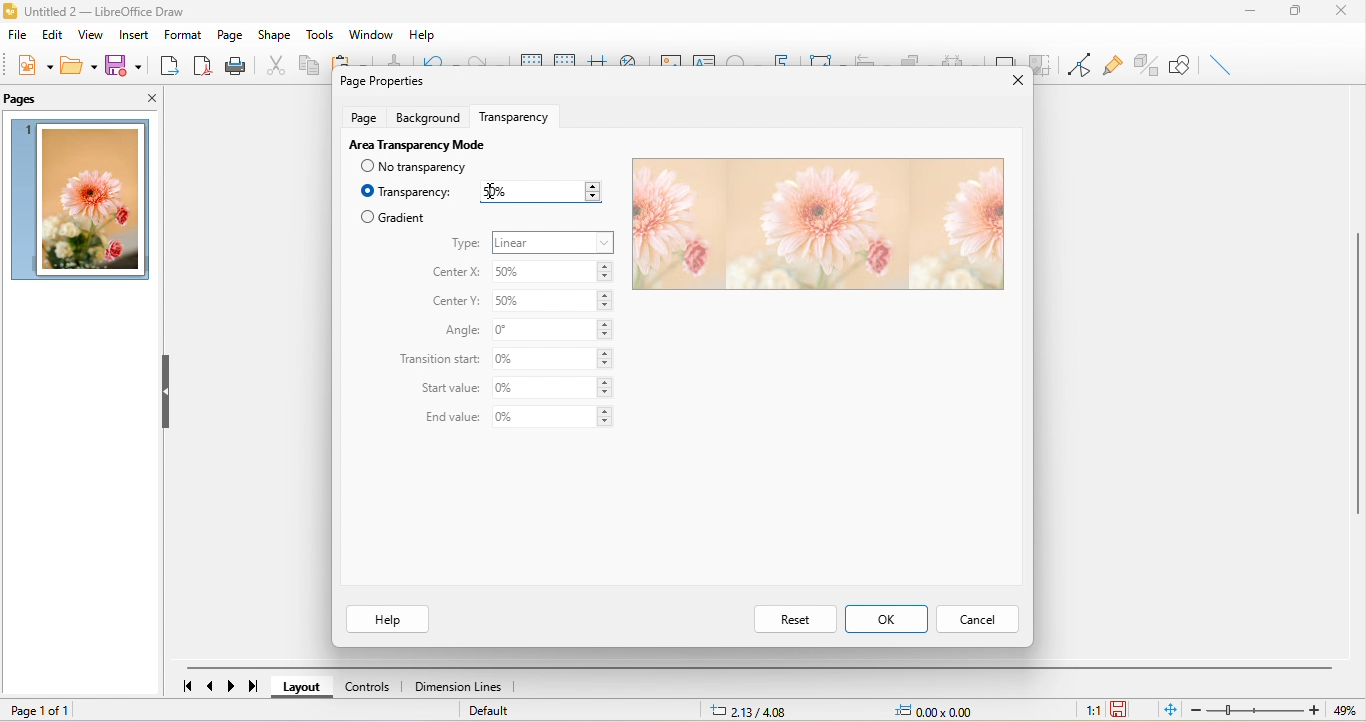 This screenshot has width=1366, height=722. What do you see at coordinates (554, 330) in the screenshot?
I see `0%` at bounding box center [554, 330].